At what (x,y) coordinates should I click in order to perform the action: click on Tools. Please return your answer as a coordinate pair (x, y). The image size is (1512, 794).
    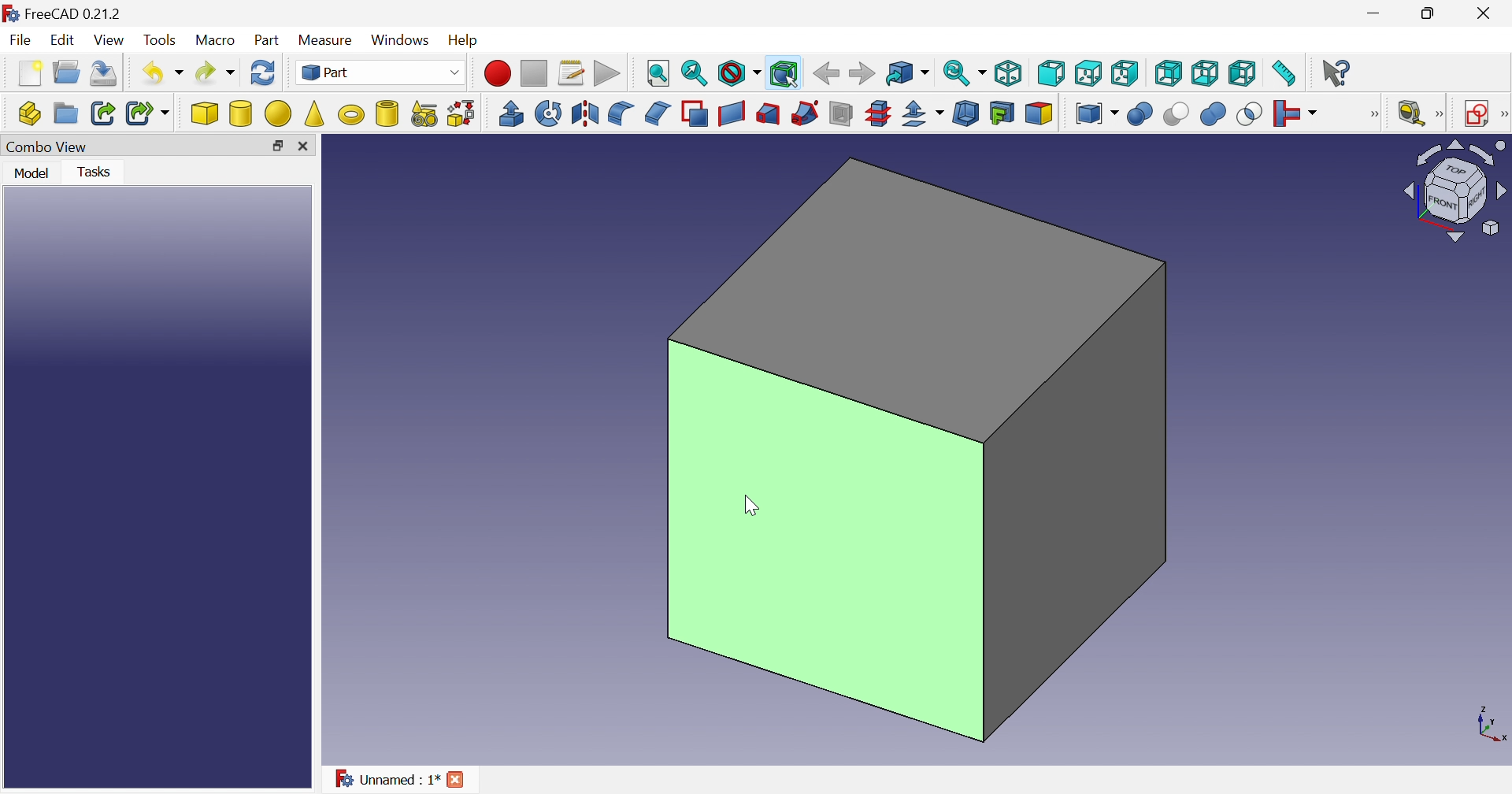
    Looking at the image, I should click on (160, 42).